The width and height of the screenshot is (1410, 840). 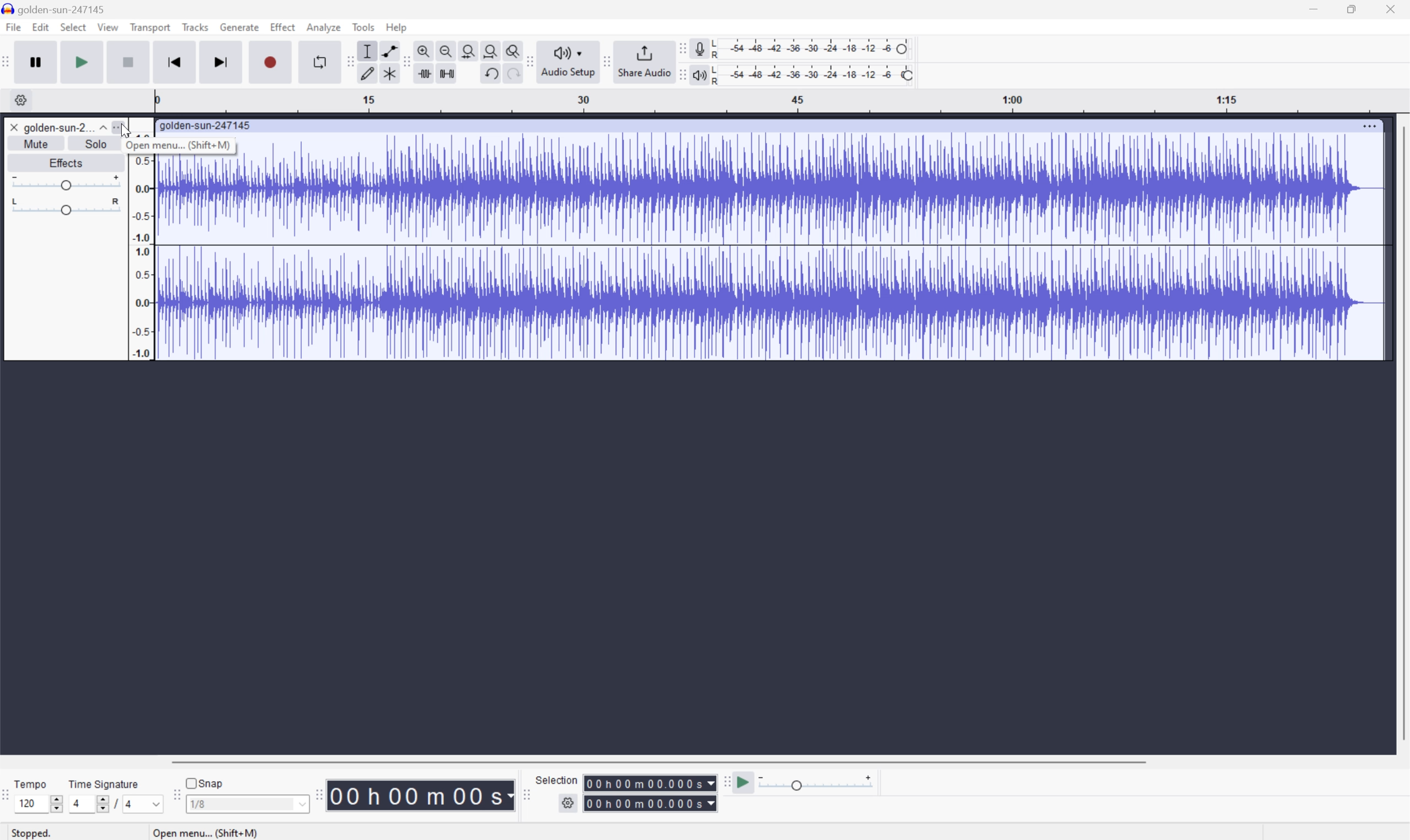 I want to click on Time, so click(x=421, y=796).